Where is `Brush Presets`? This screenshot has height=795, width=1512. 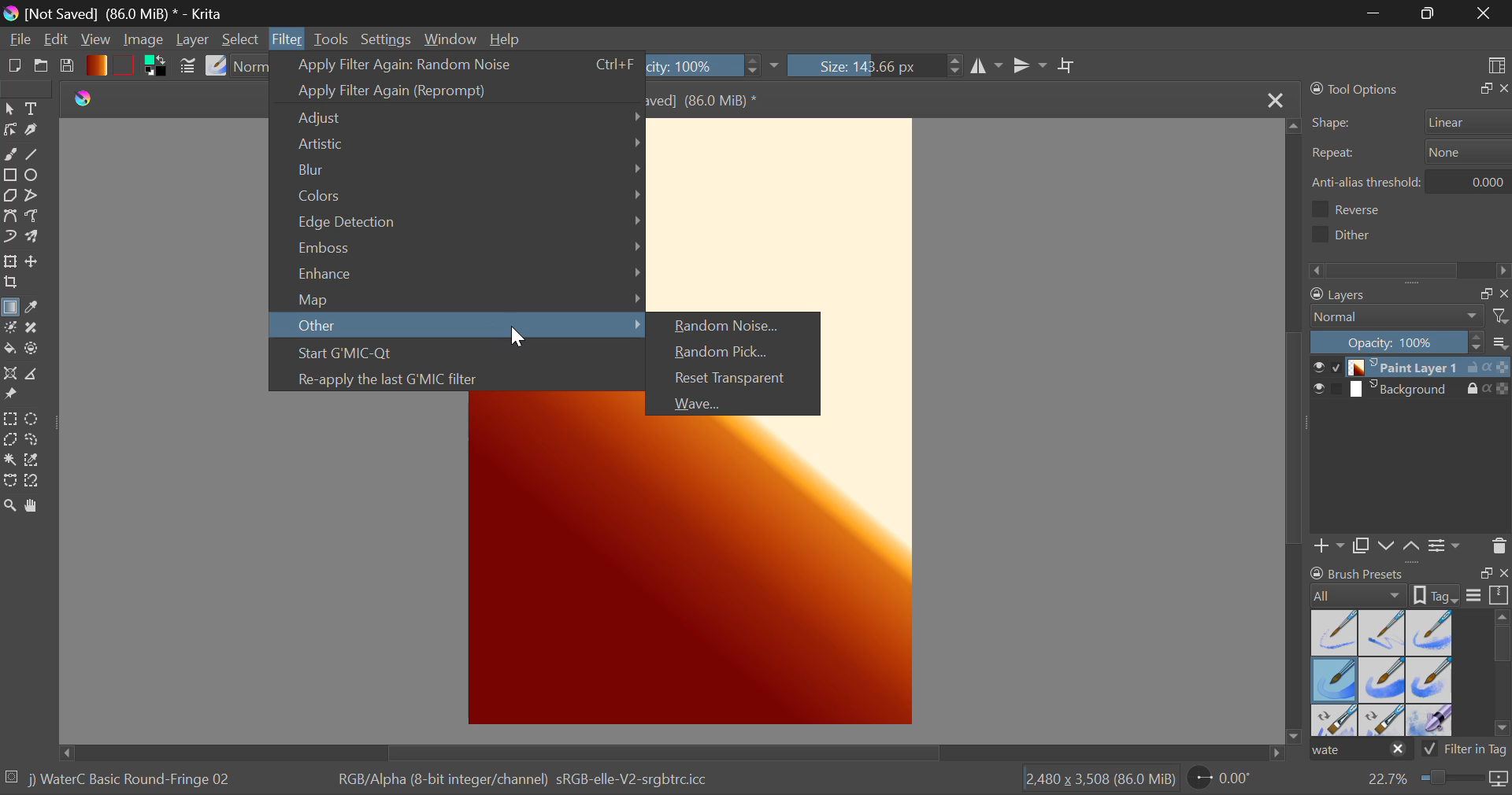
Brush Presets is located at coordinates (216, 67).